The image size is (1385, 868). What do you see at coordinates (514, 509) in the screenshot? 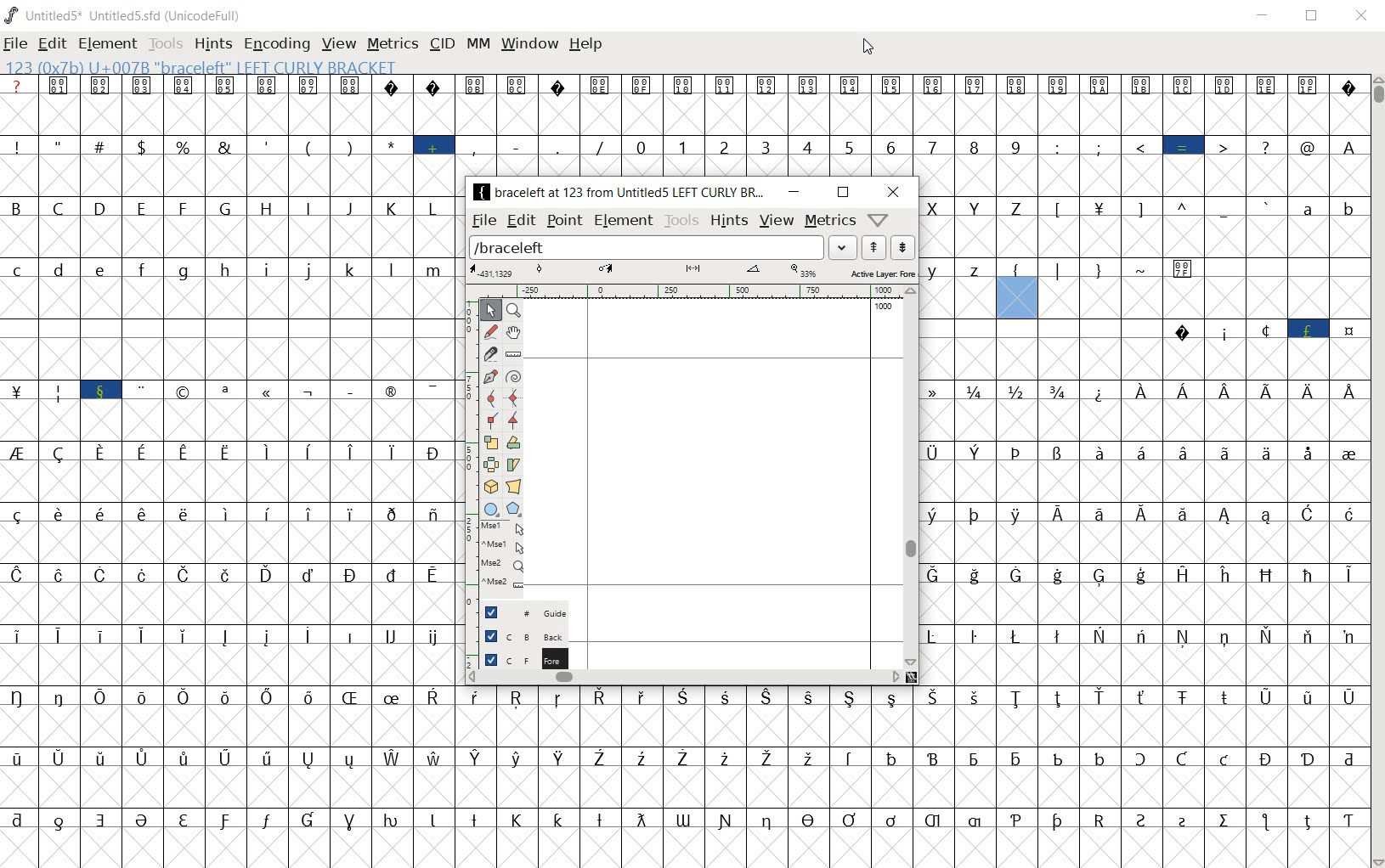
I see `polygon or star` at bounding box center [514, 509].